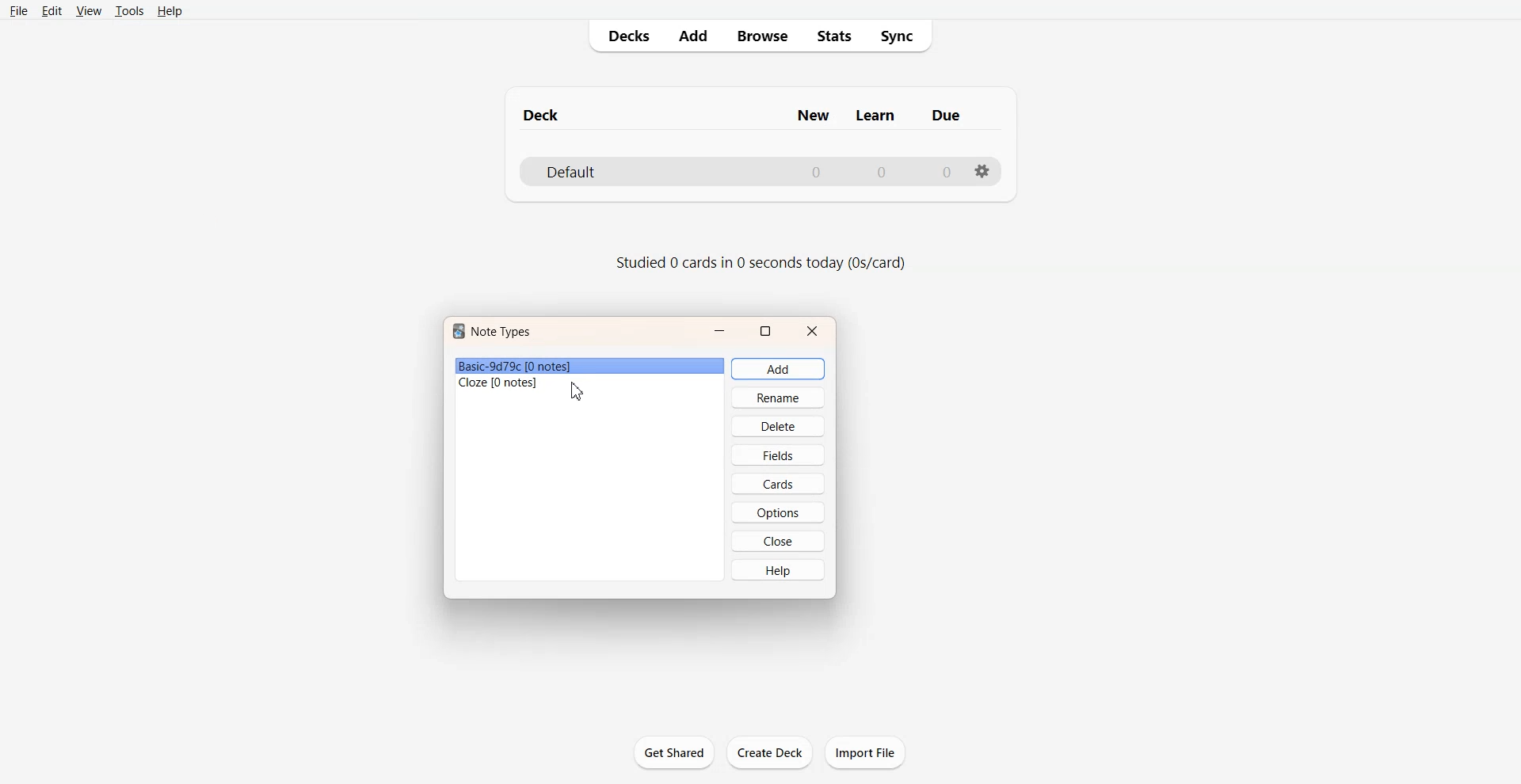 This screenshot has height=784, width=1521. What do you see at coordinates (778, 426) in the screenshot?
I see `Delete` at bounding box center [778, 426].